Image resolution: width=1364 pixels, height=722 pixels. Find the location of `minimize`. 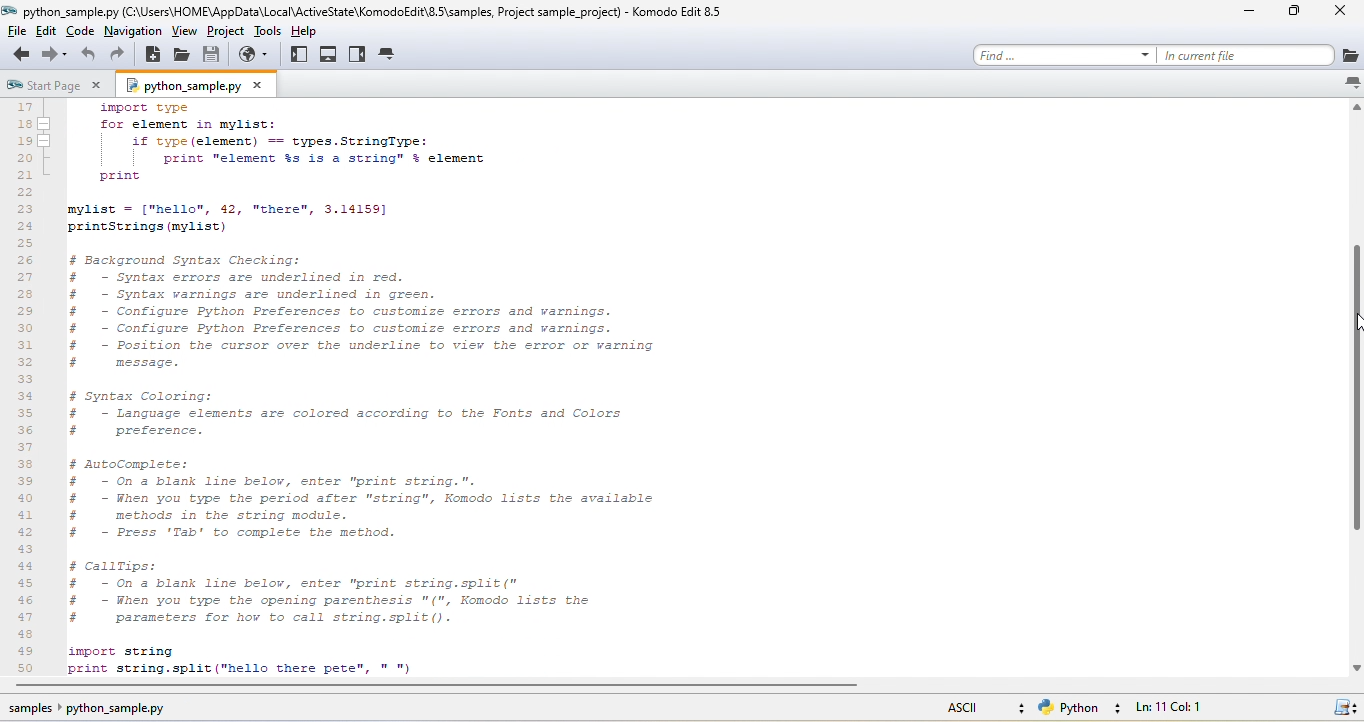

minimize is located at coordinates (1254, 12).